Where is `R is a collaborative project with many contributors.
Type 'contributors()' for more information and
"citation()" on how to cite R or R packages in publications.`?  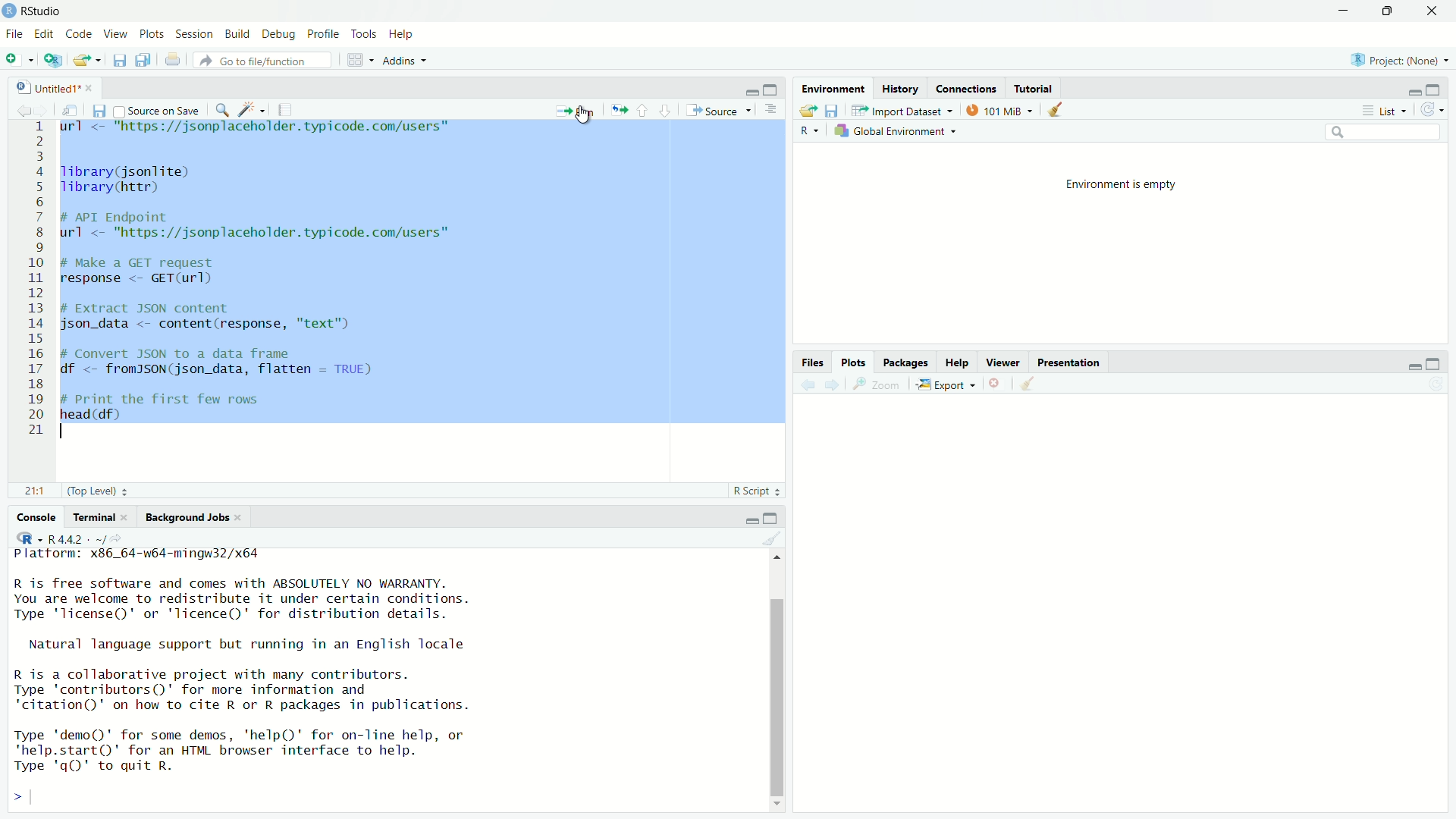 R is a collaborative project with many contributors.
Type 'contributors()' for more information and
"citation()" on how to cite R or R packages in publications. is located at coordinates (241, 692).